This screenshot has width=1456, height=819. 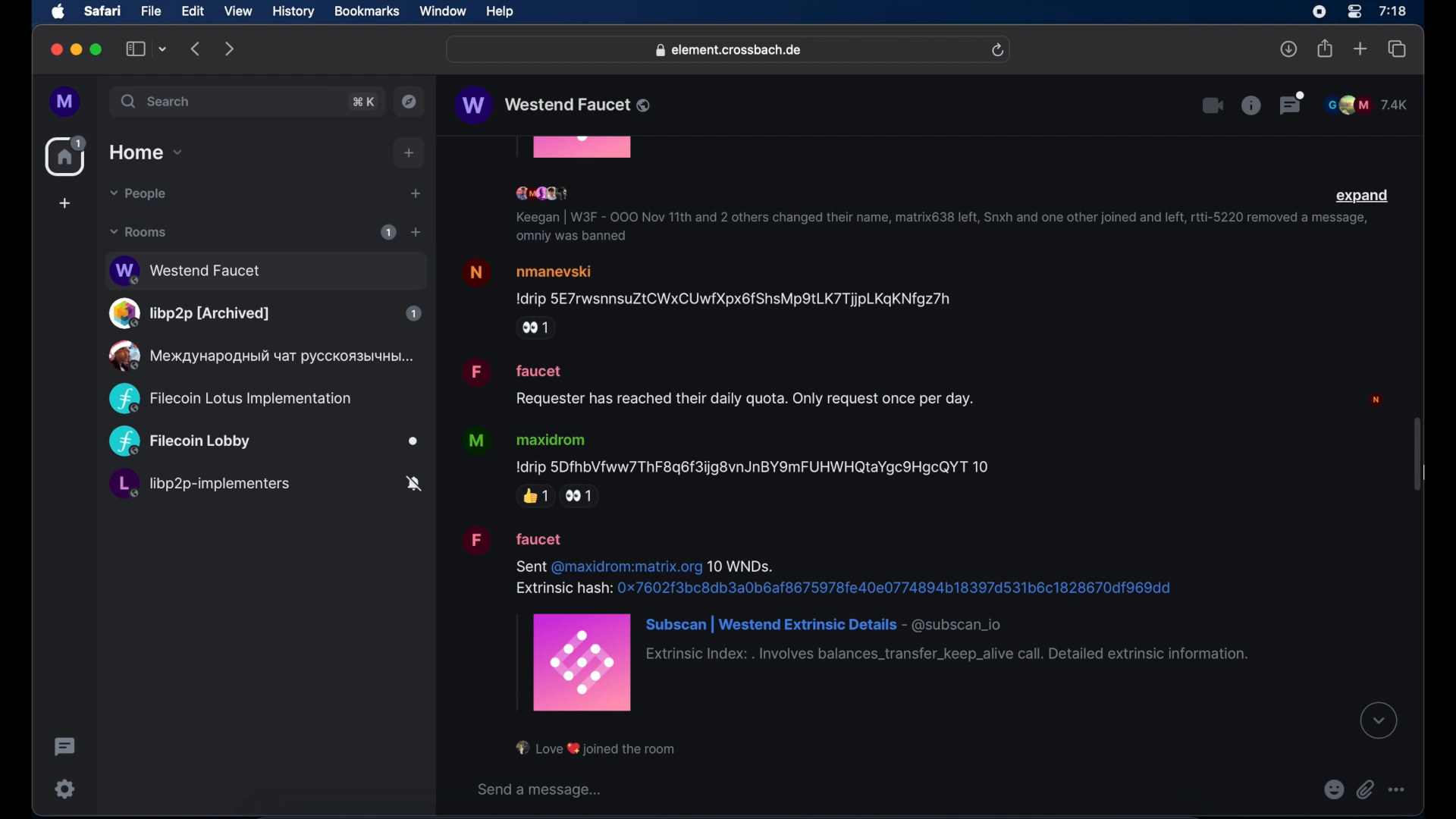 What do you see at coordinates (237, 11) in the screenshot?
I see `view` at bounding box center [237, 11].